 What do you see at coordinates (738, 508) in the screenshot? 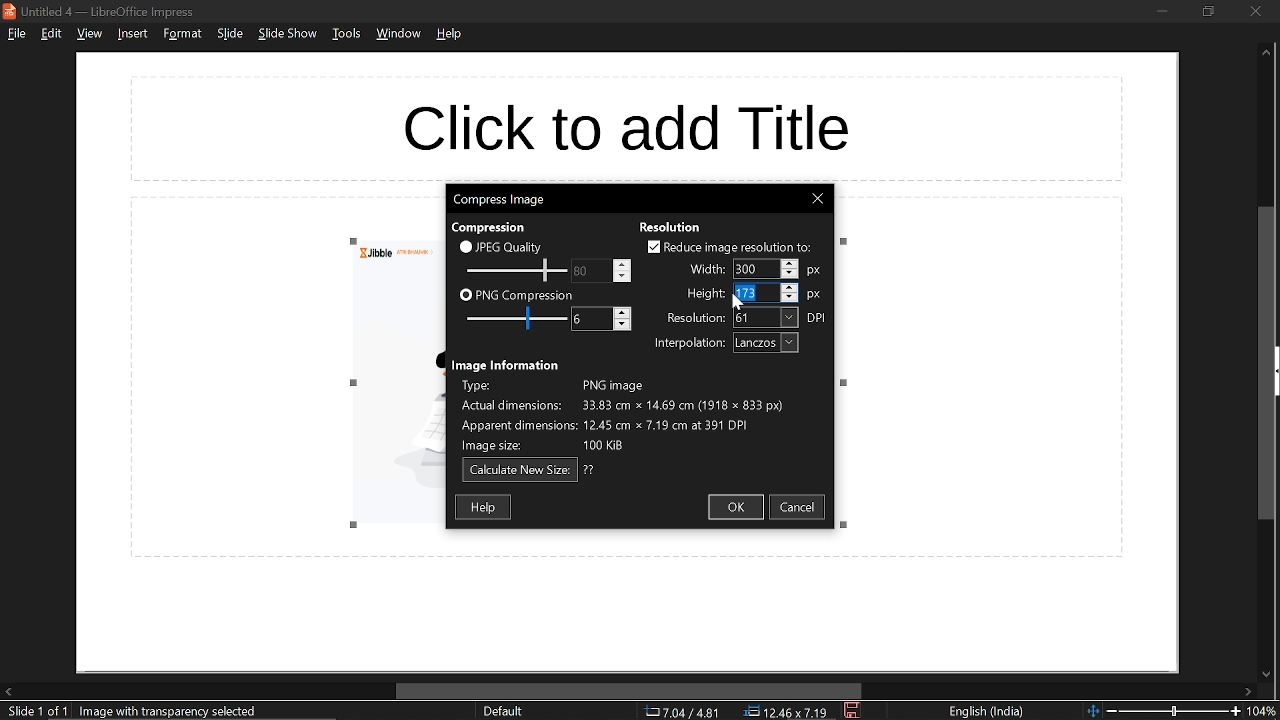
I see `ok` at bounding box center [738, 508].